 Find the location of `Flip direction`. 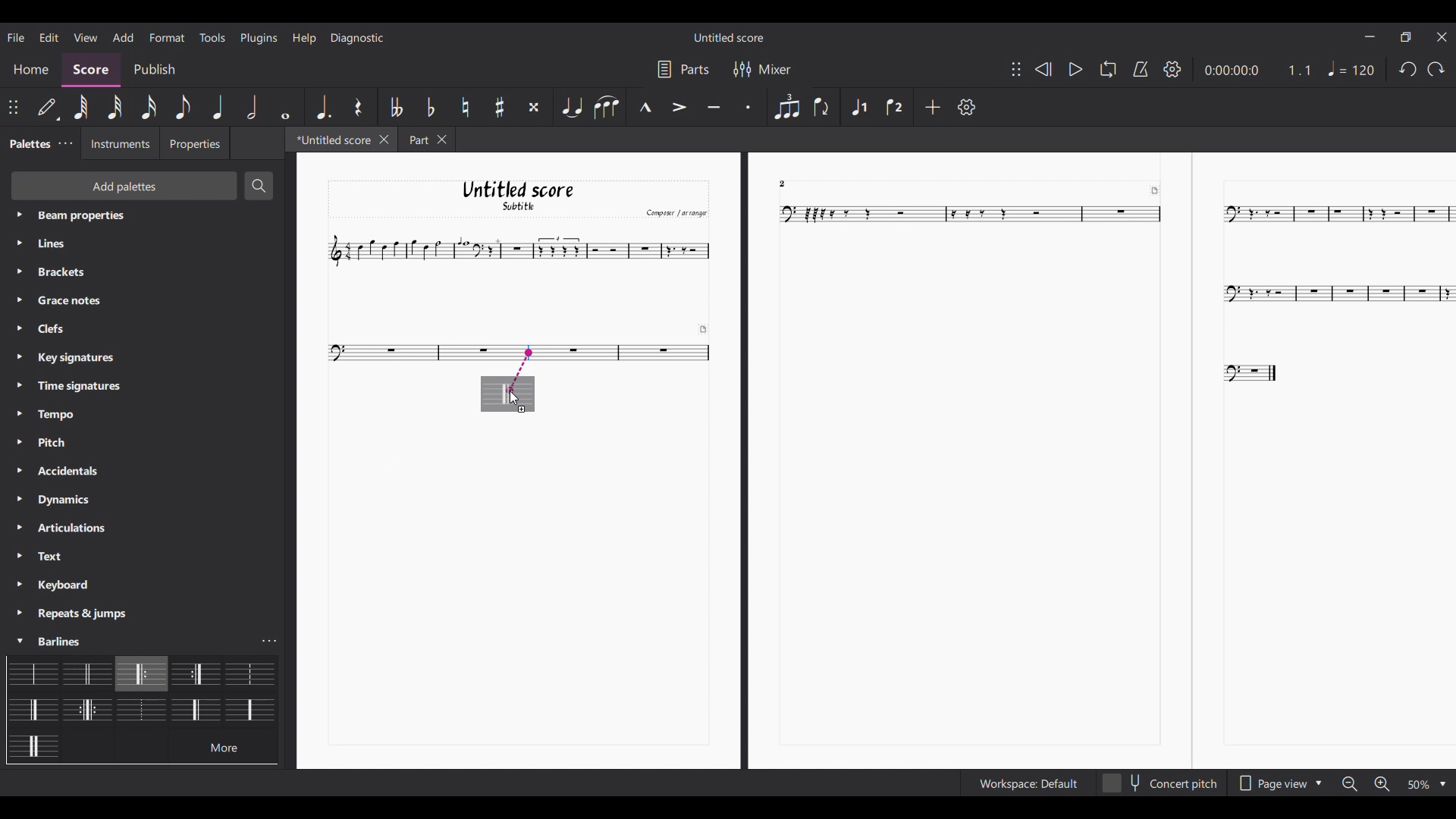

Flip direction is located at coordinates (822, 105).